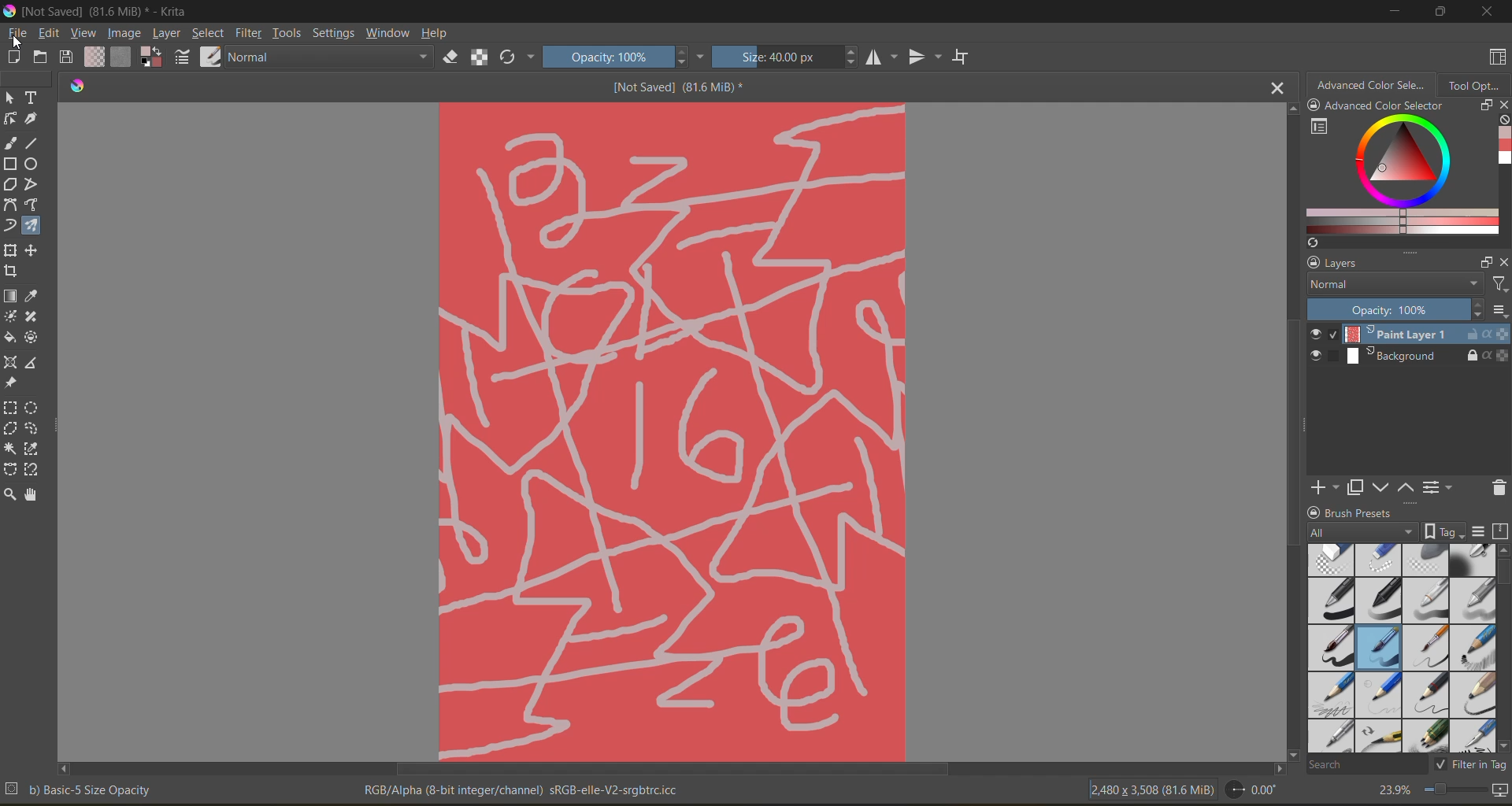 This screenshot has height=806, width=1512. What do you see at coordinates (93, 57) in the screenshot?
I see `fill gradients` at bounding box center [93, 57].